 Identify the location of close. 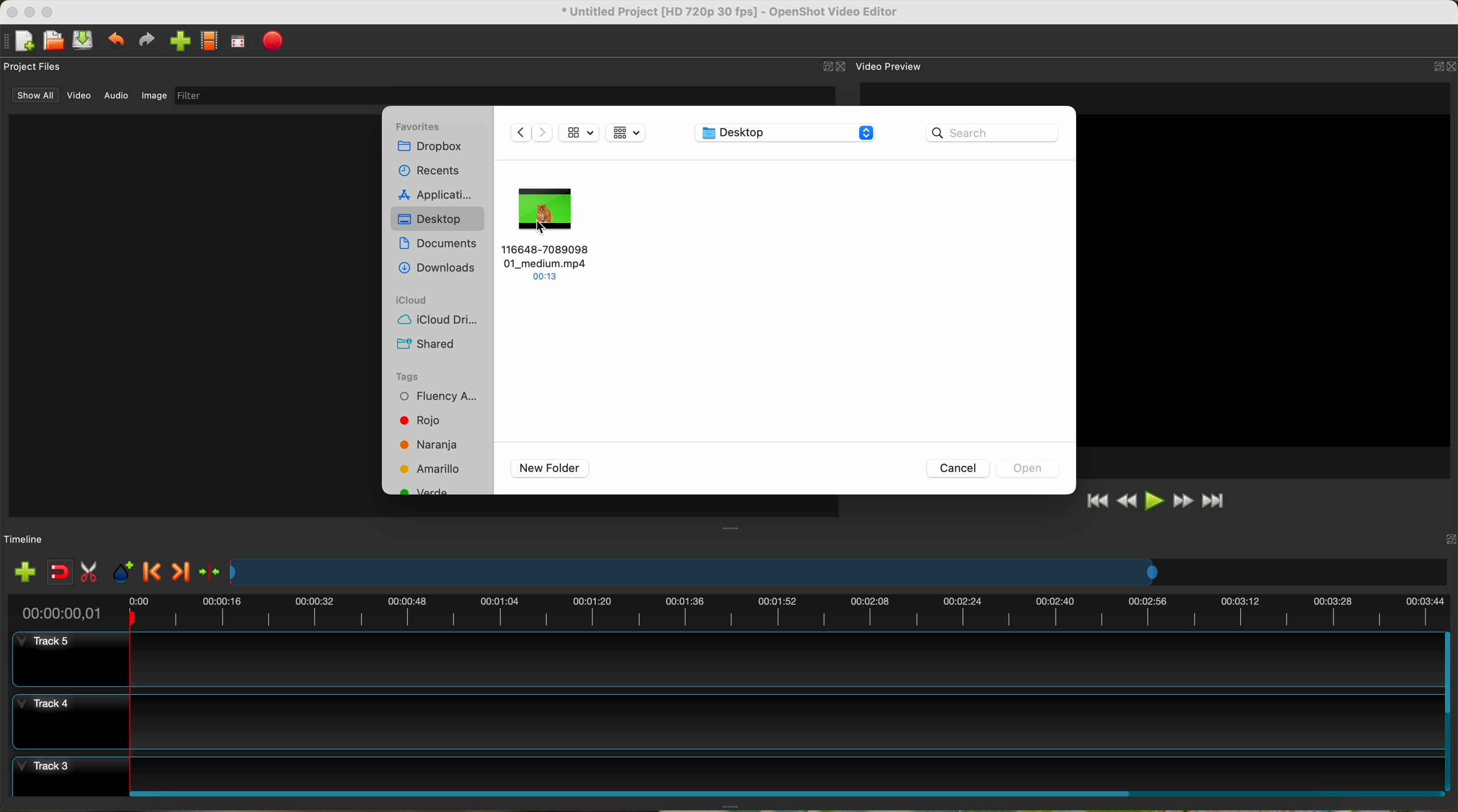
(1442, 68).